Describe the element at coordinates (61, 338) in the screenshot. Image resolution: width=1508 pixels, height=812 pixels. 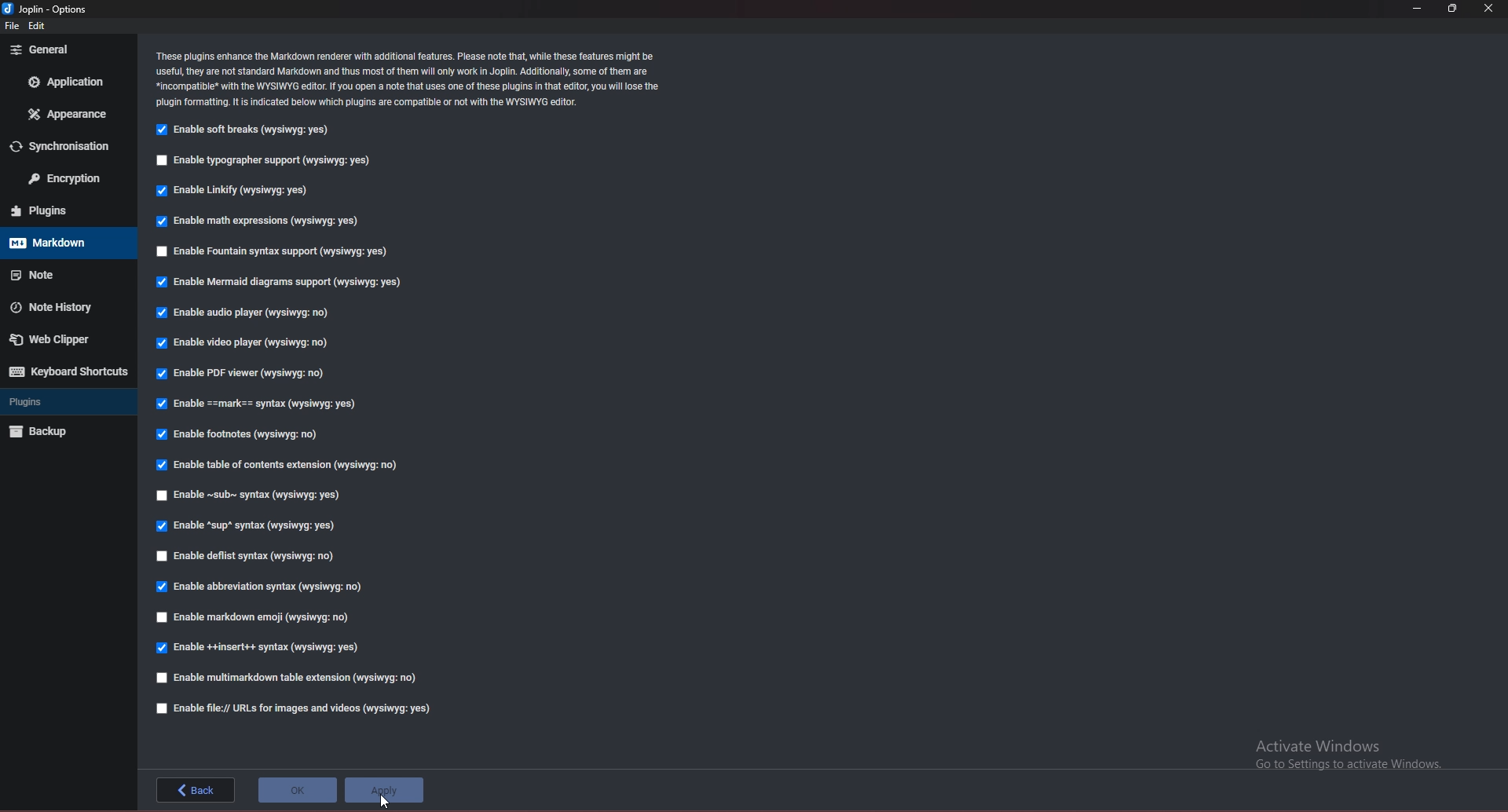
I see `web clipper` at that location.